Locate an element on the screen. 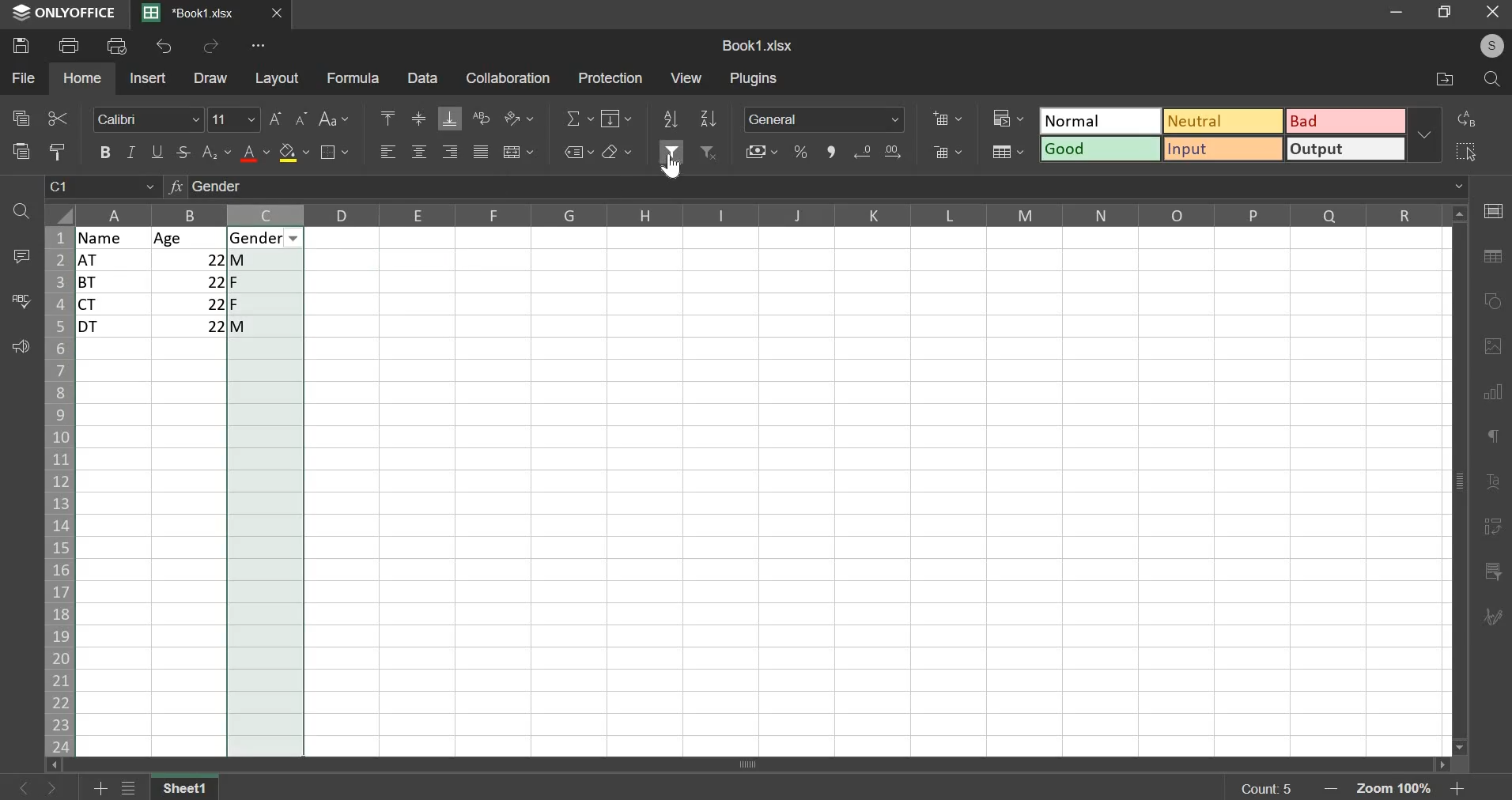 The width and height of the screenshot is (1512, 800). dt is located at coordinates (115, 327).